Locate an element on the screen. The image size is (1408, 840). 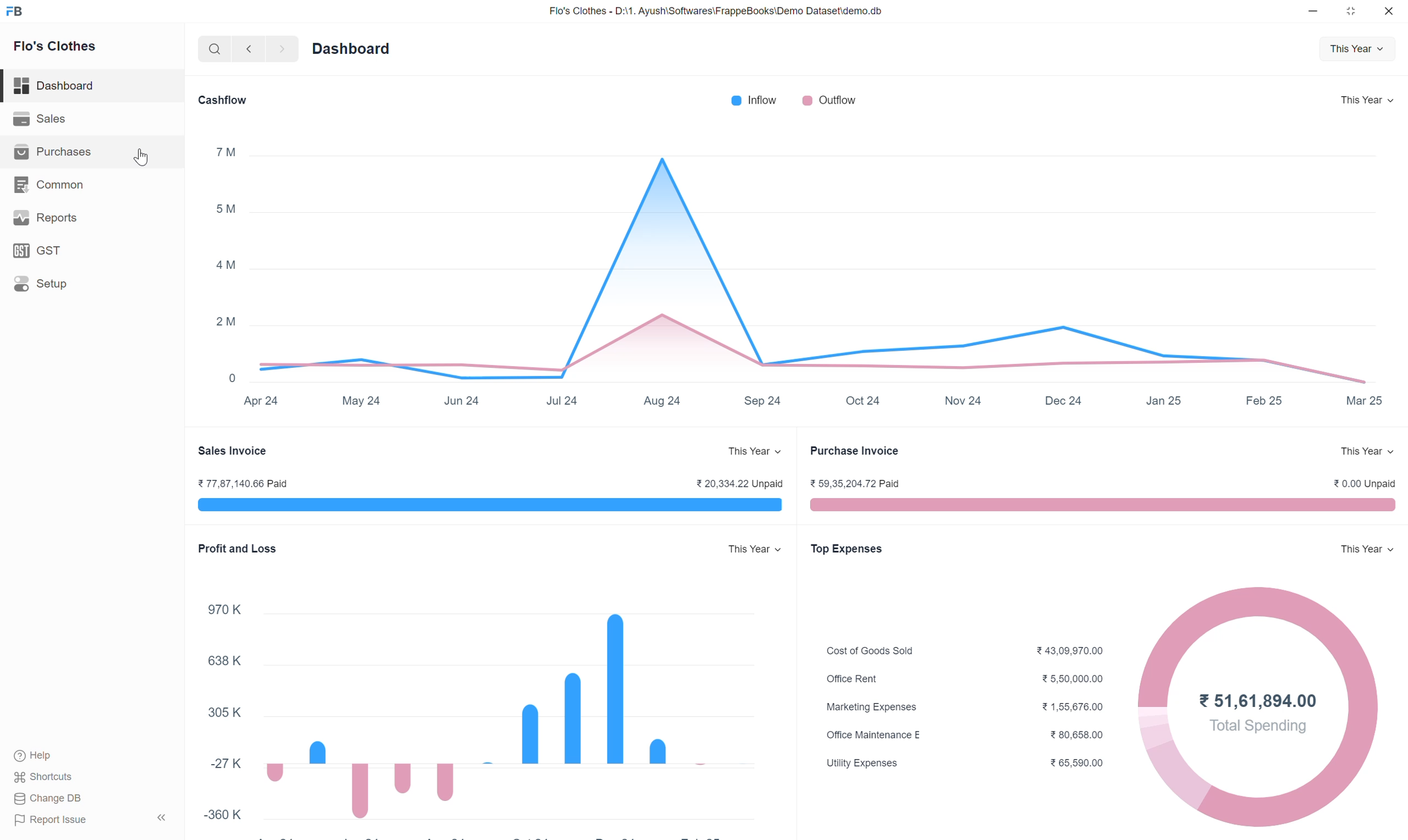
Utility Expenses  65,590.00 is located at coordinates (966, 764).